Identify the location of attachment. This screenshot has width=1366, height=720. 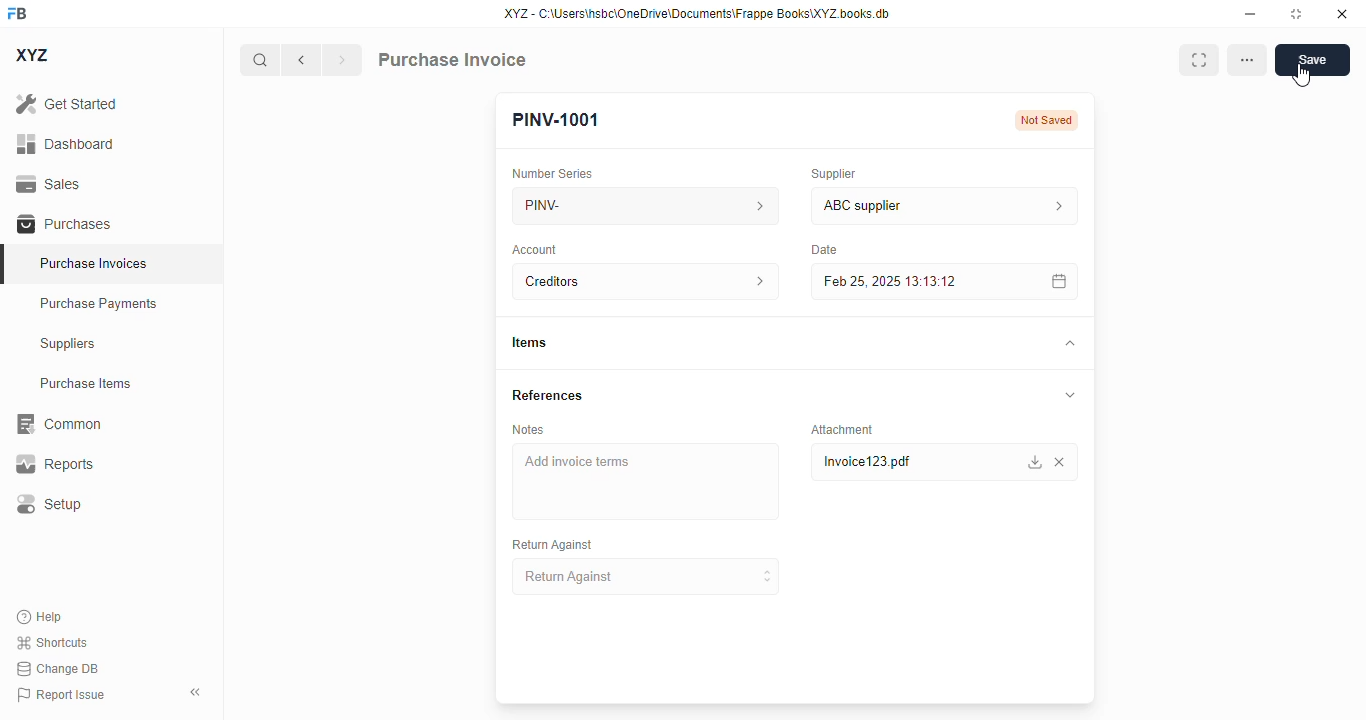
(842, 429).